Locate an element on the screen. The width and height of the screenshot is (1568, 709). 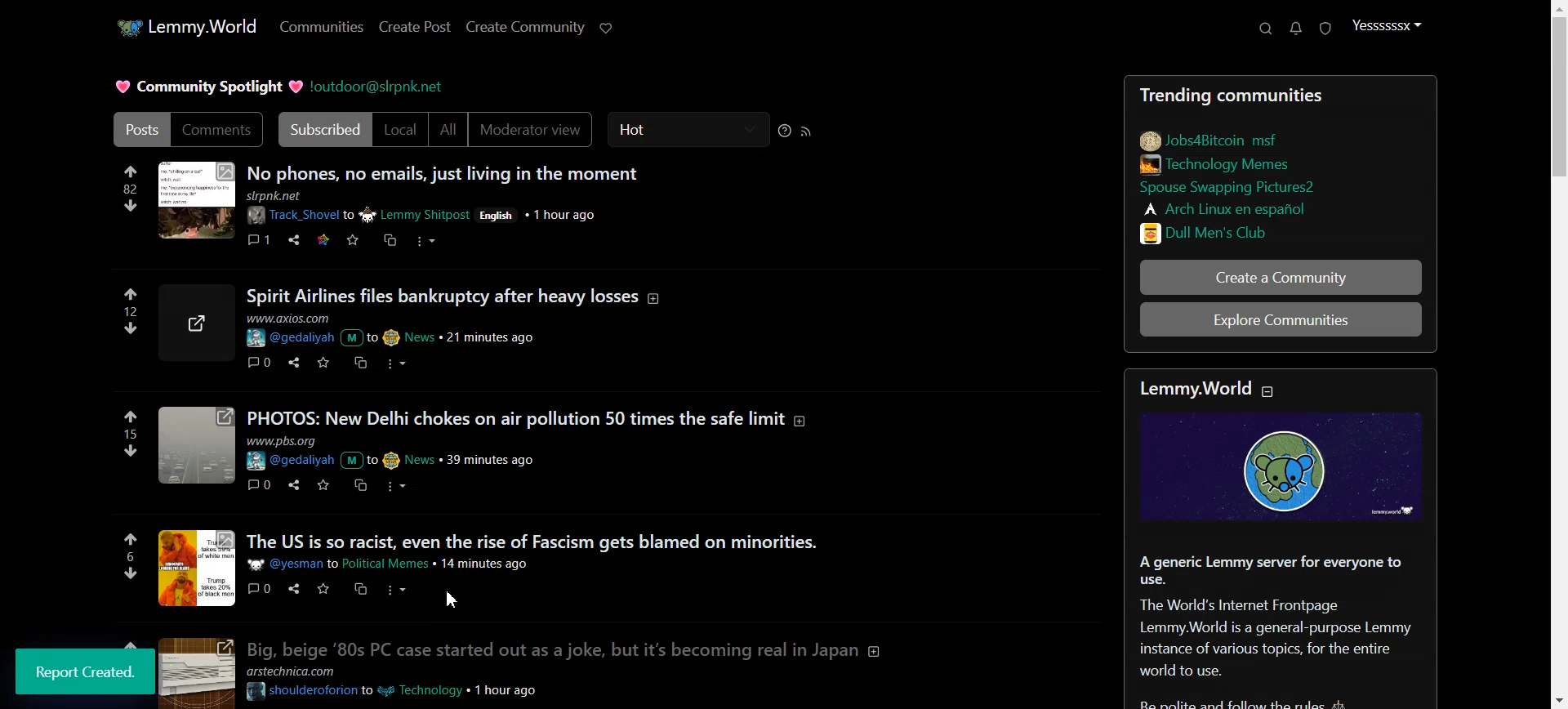
comments is located at coordinates (261, 588).